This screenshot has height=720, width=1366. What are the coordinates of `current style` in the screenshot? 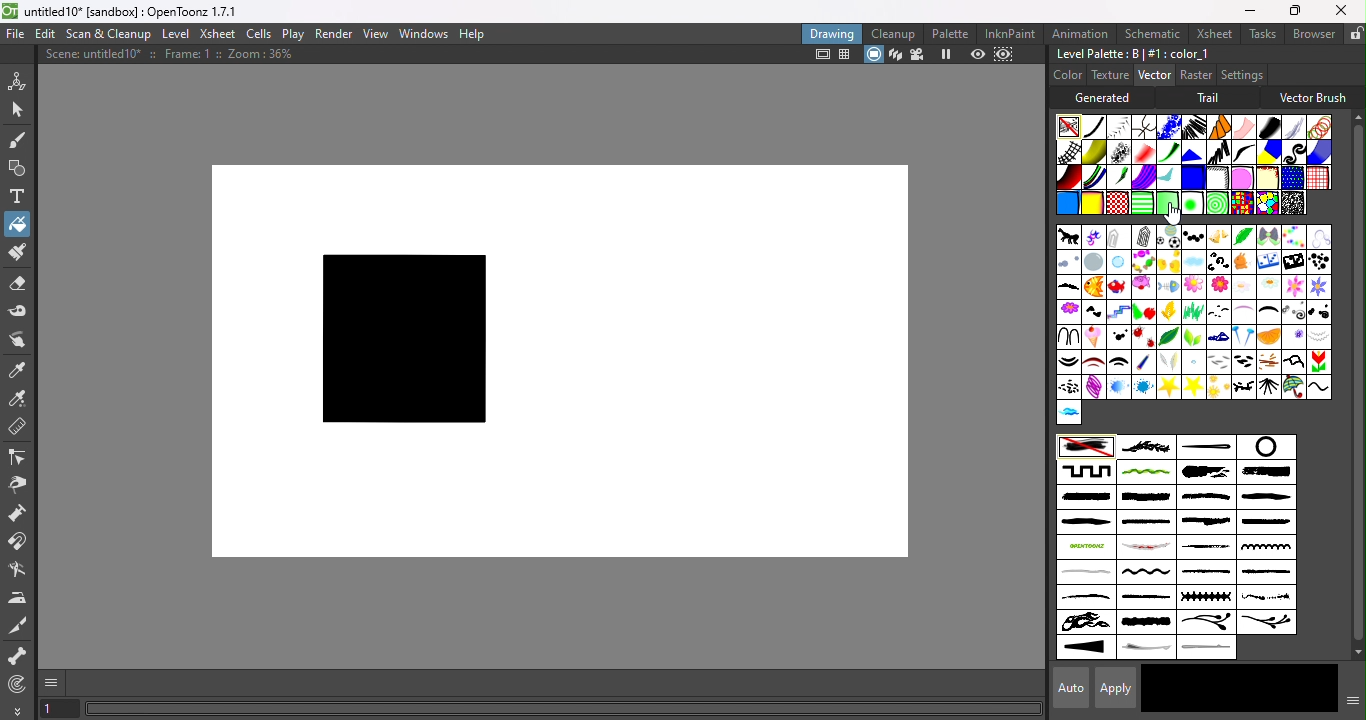 It's located at (1188, 690).